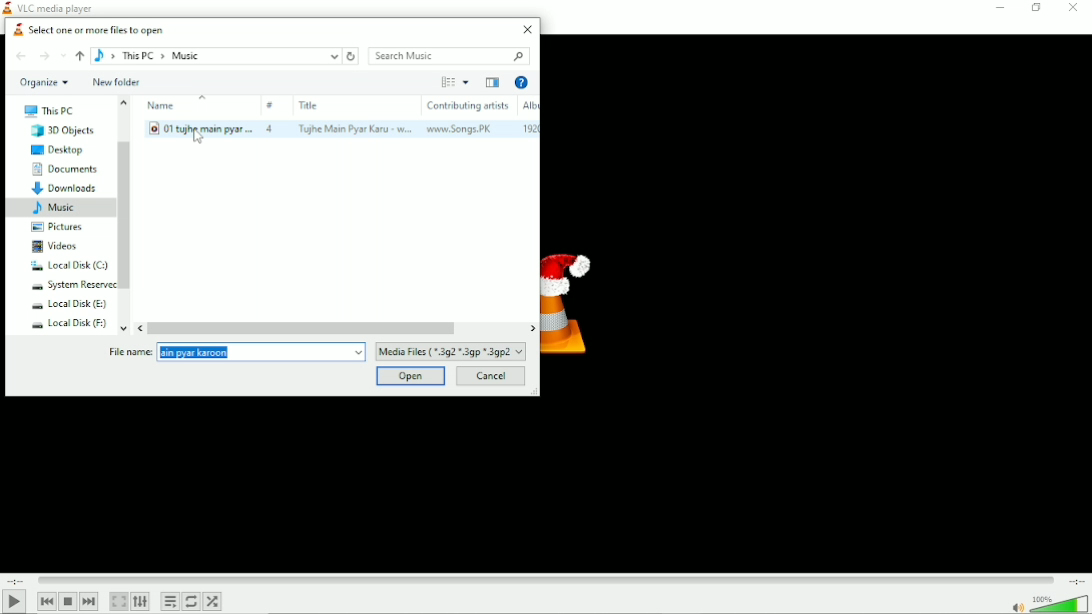  What do you see at coordinates (140, 327) in the screenshot?
I see `move left` at bounding box center [140, 327].